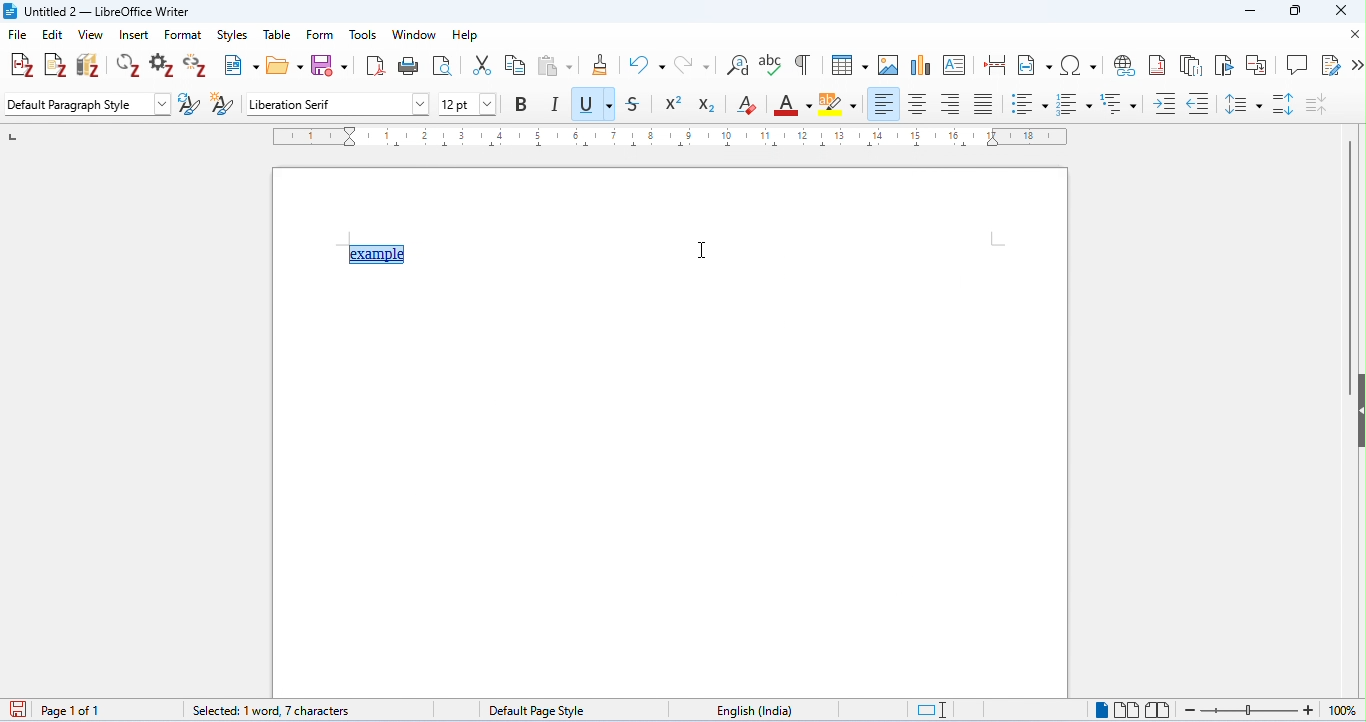  I want to click on edit, so click(55, 34).